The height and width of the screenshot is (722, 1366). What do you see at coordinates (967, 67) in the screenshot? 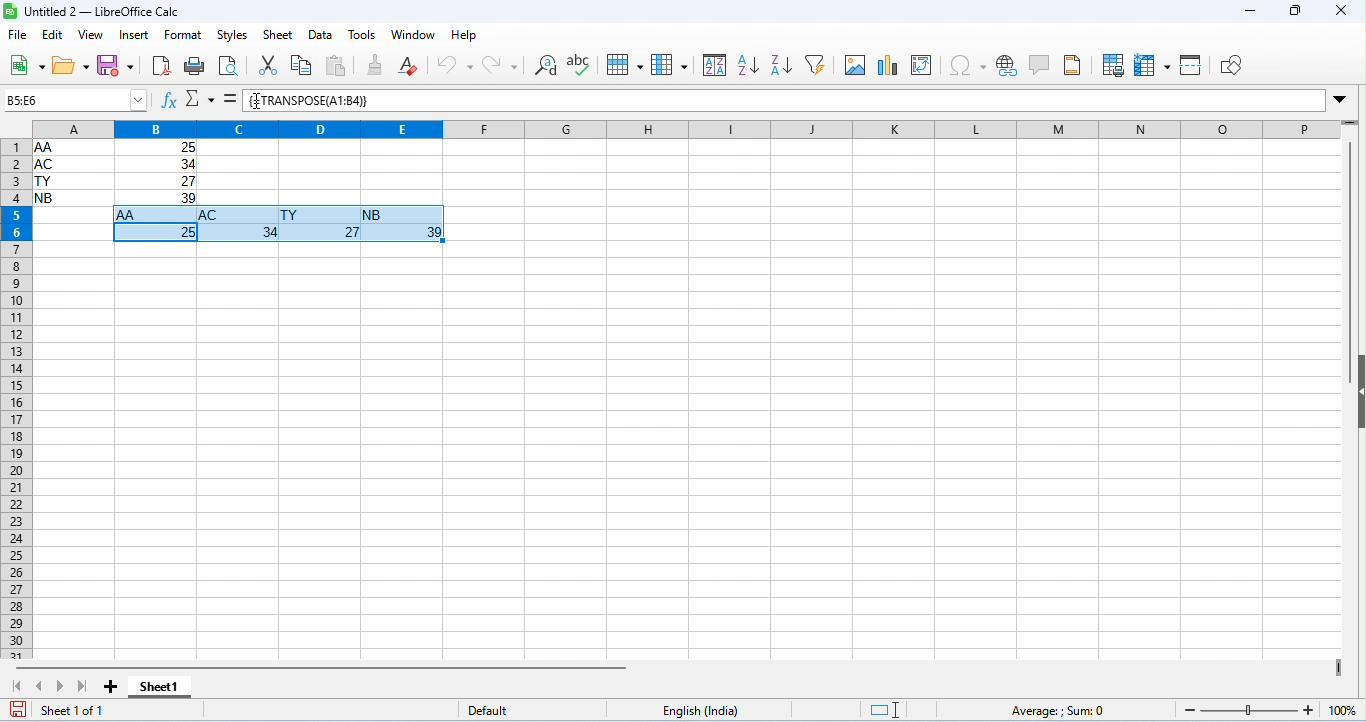
I see `insert special characters` at bounding box center [967, 67].